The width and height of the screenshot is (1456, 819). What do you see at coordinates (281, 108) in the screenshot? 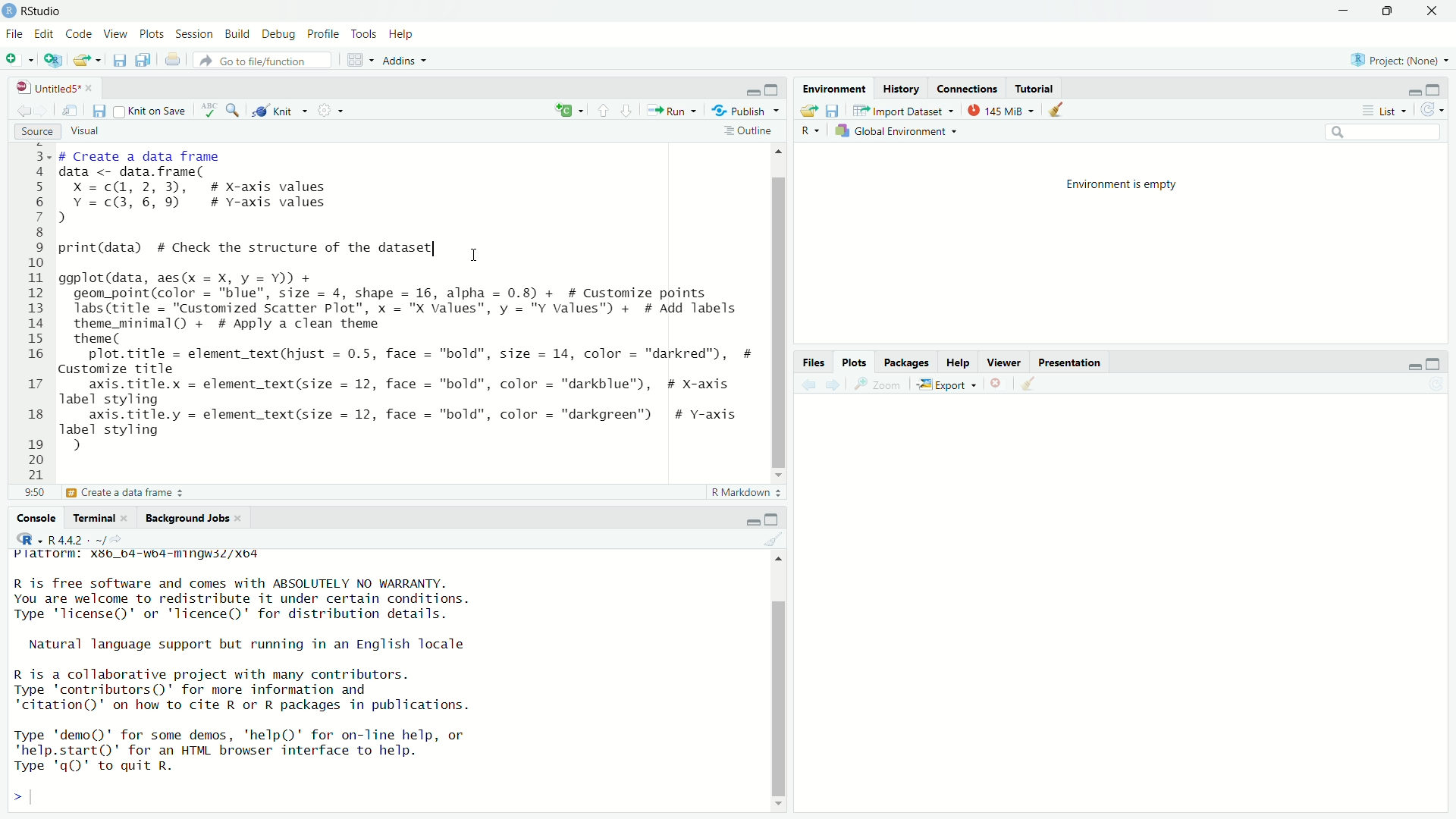
I see `Kniit` at bounding box center [281, 108].